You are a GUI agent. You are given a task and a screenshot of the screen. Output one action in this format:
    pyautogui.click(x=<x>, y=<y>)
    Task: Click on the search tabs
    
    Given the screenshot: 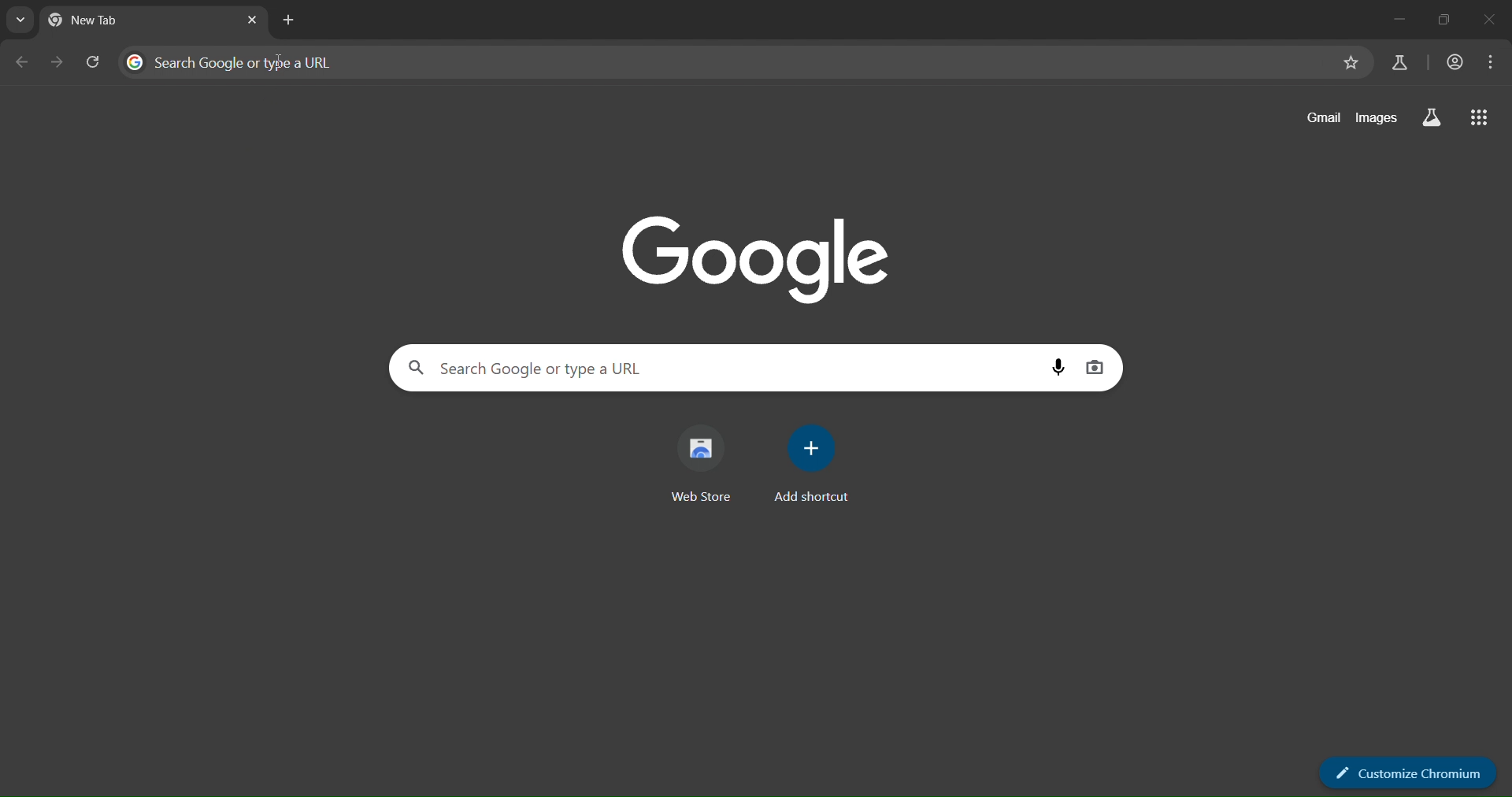 What is the action you would take?
    pyautogui.click(x=22, y=20)
    